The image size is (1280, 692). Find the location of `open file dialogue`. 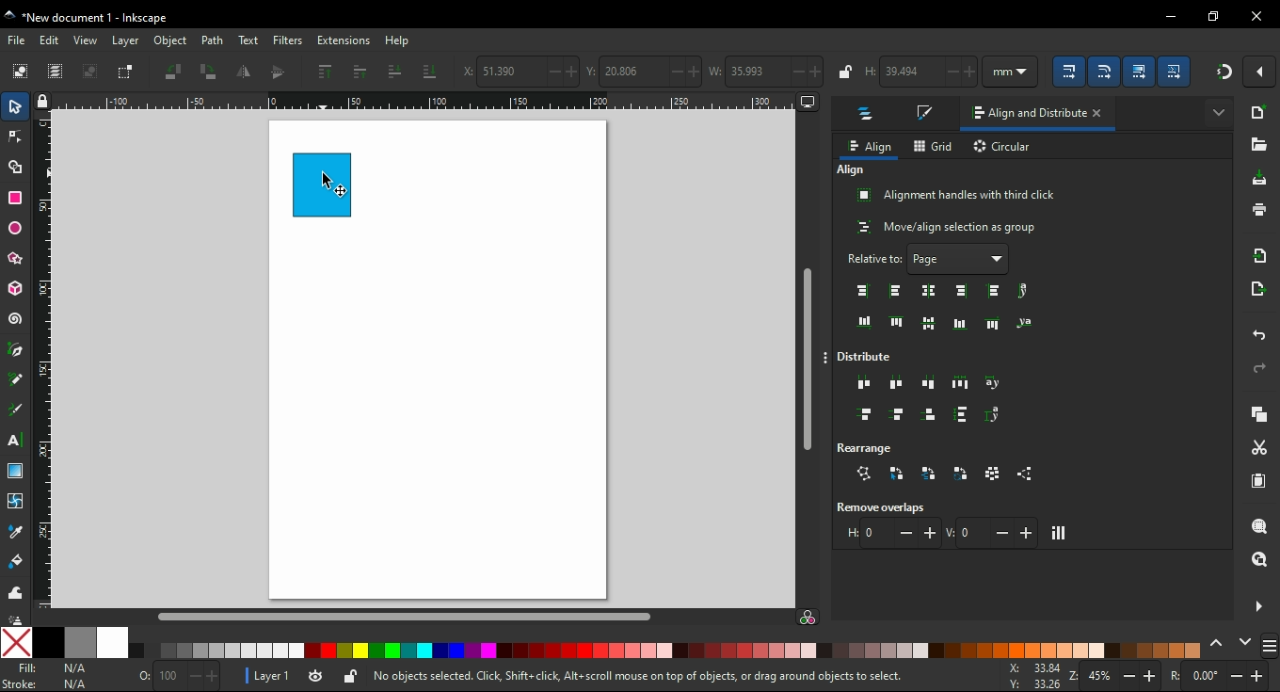

open file dialogue is located at coordinates (1258, 144).